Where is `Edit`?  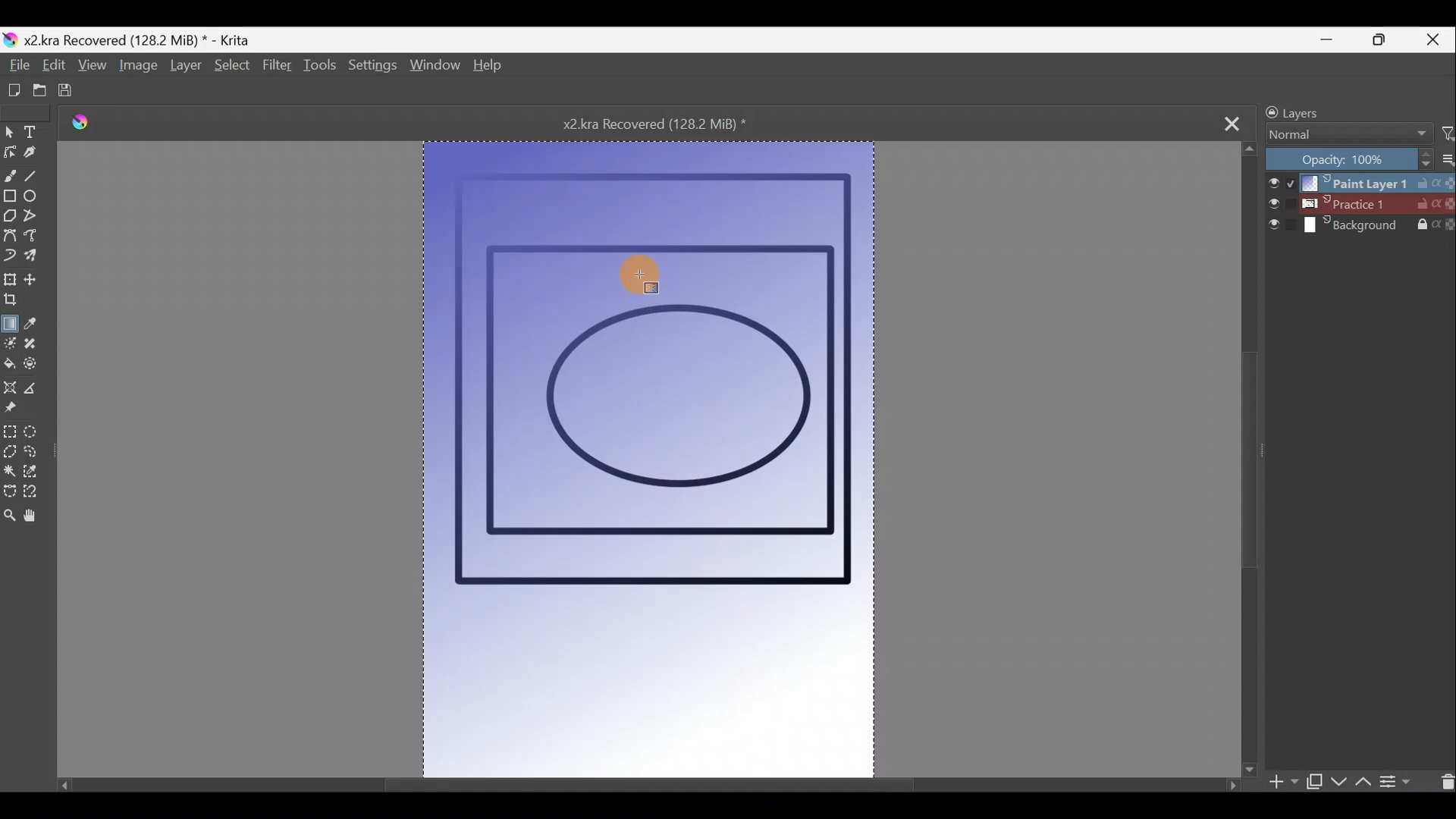 Edit is located at coordinates (52, 68).